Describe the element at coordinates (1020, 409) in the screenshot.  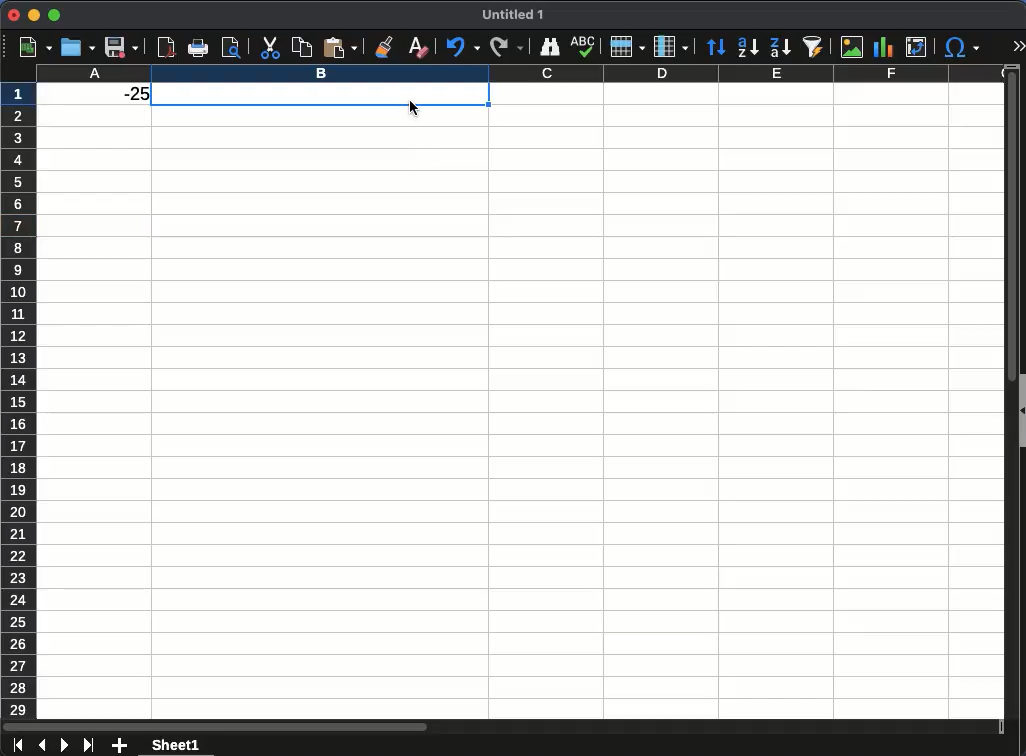
I see `collapse` at that location.